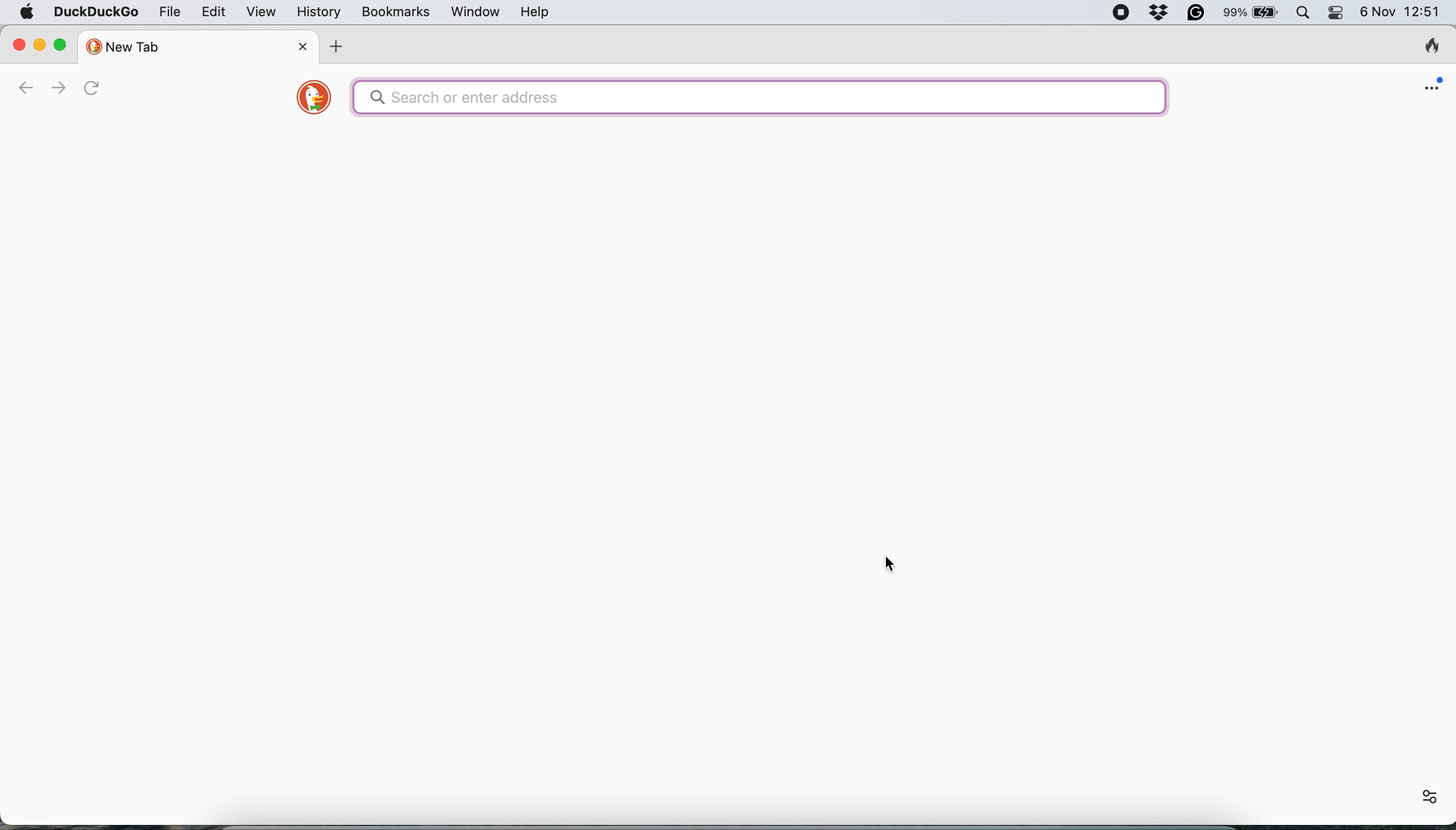 Image resolution: width=1456 pixels, height=830 pixels. What do you see at coordinates (30, 13) in the screenshot?
I see `system logo` at bounding box center [30, 13].